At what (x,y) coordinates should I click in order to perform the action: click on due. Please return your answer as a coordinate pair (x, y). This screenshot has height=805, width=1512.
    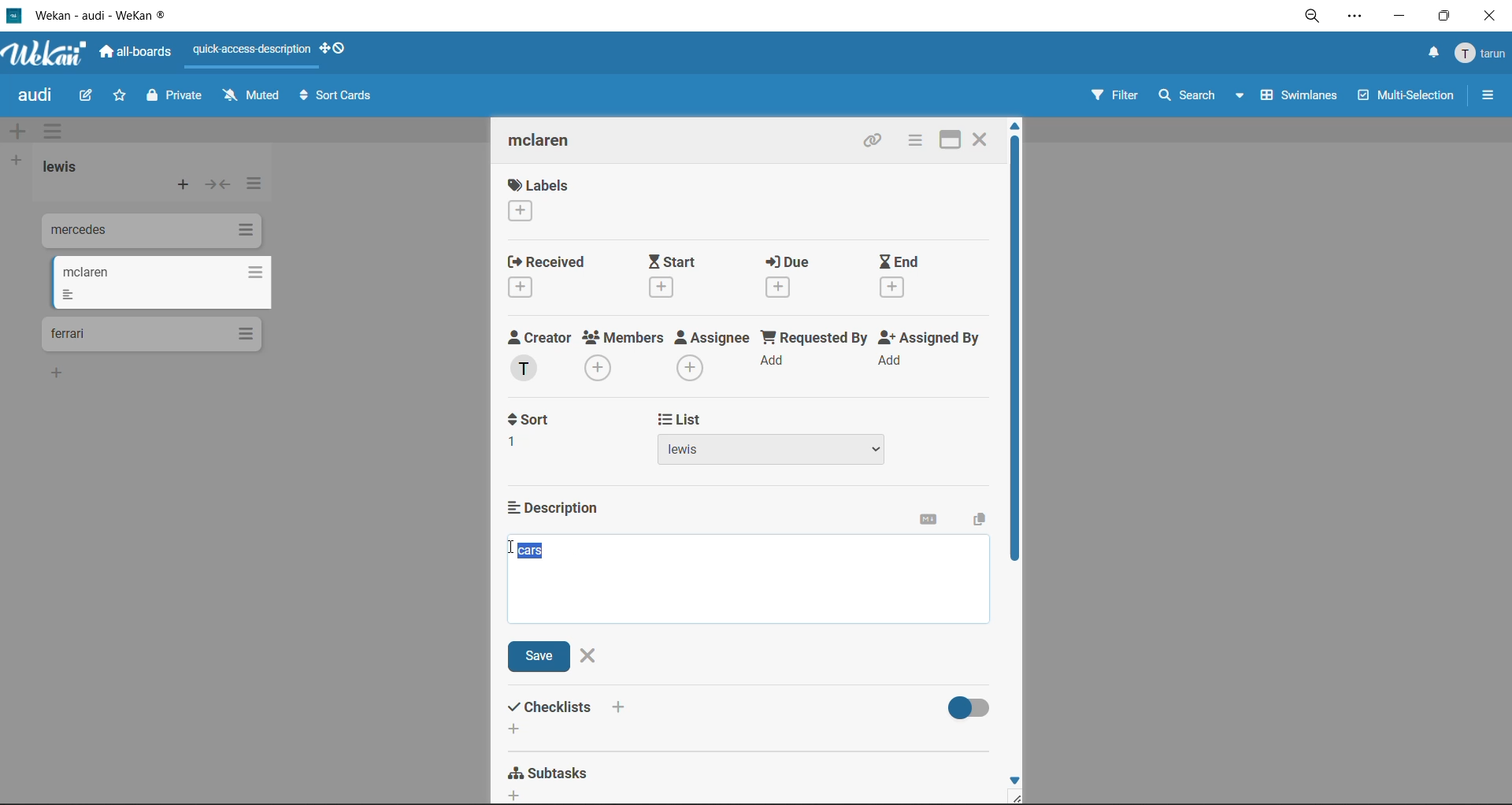
    Looking at the image, I should click on (802, 276).